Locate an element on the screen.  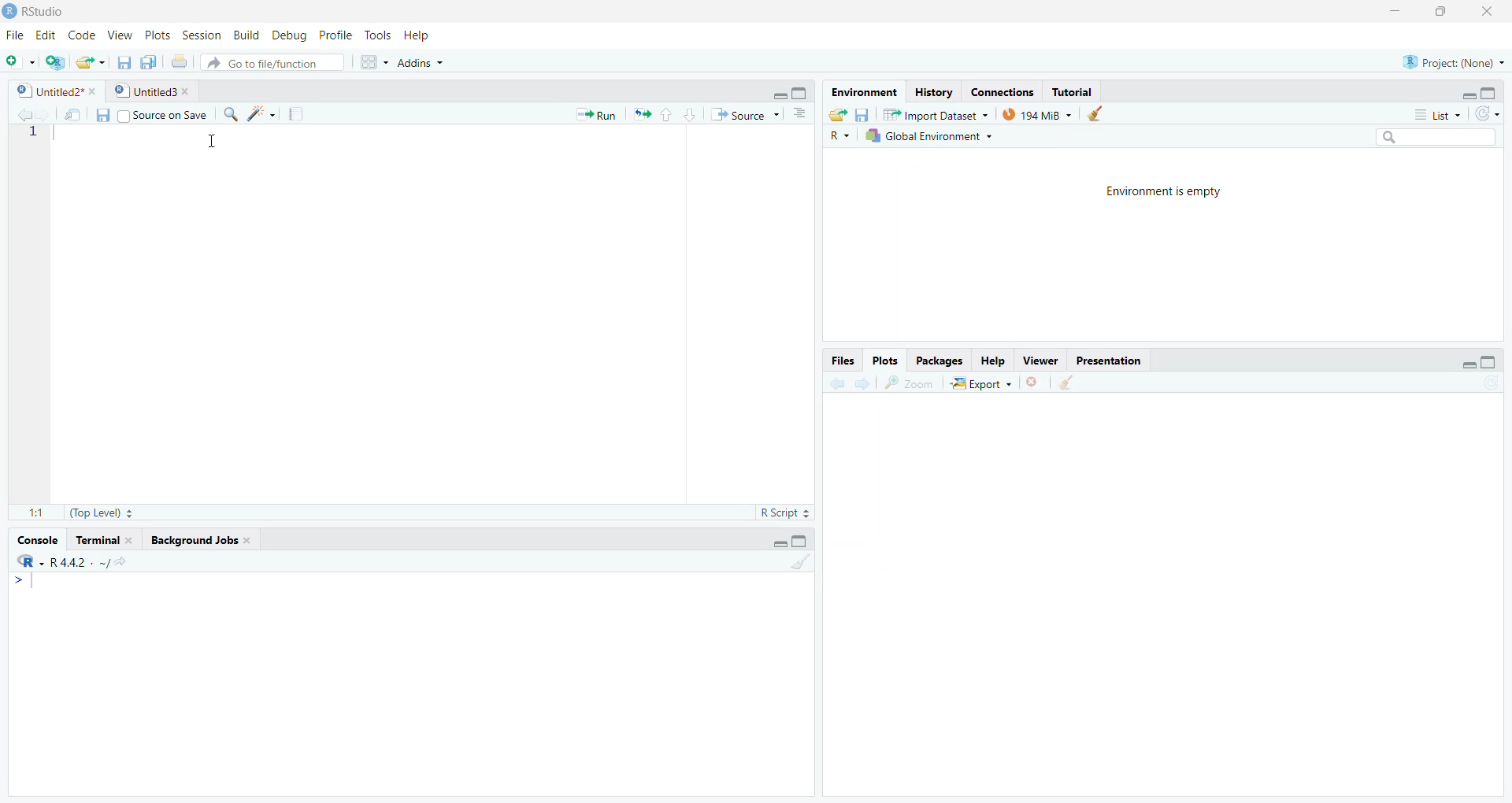
move forward is located at coordinates (864, 384).